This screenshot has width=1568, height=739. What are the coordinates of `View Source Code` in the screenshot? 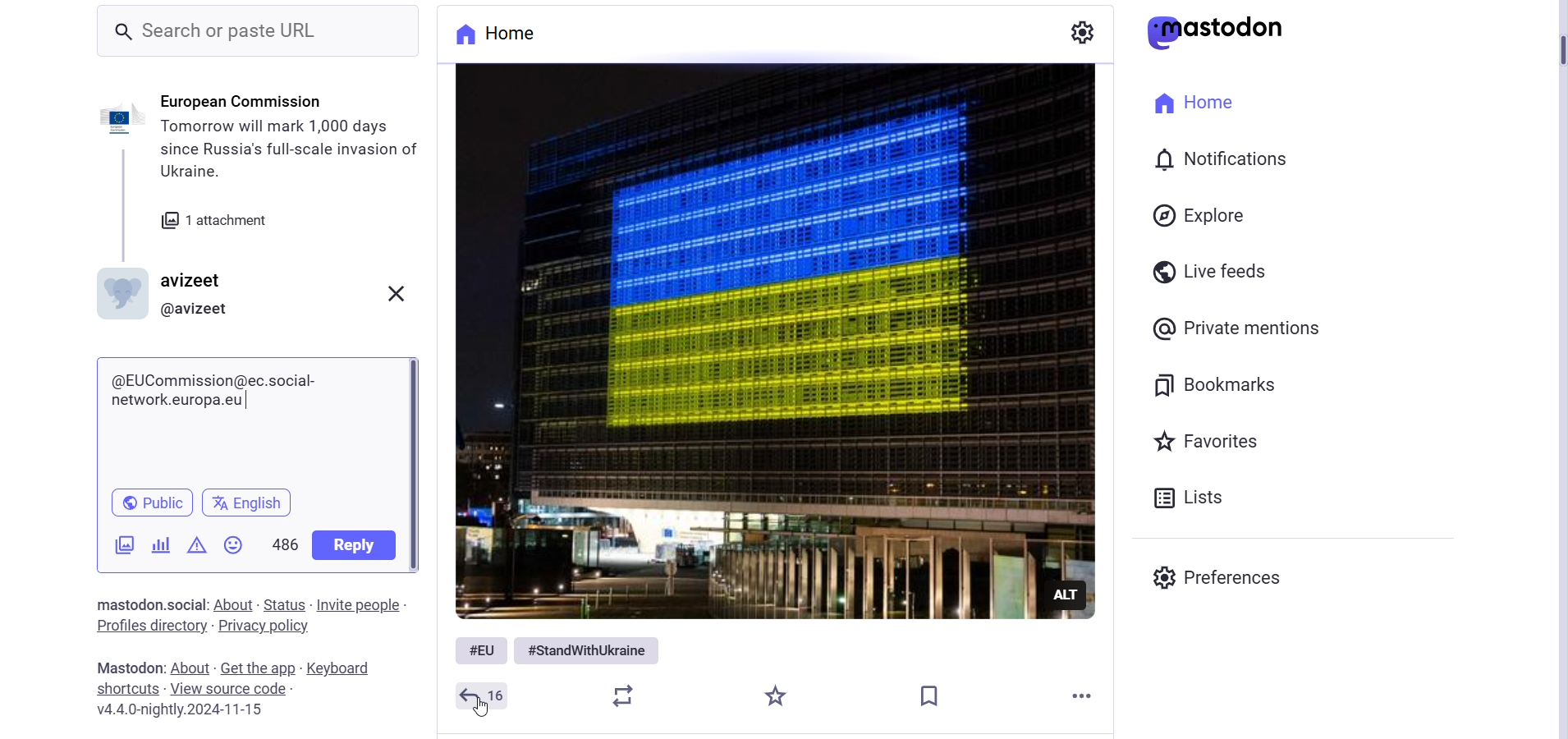 It's located at (236, 688).